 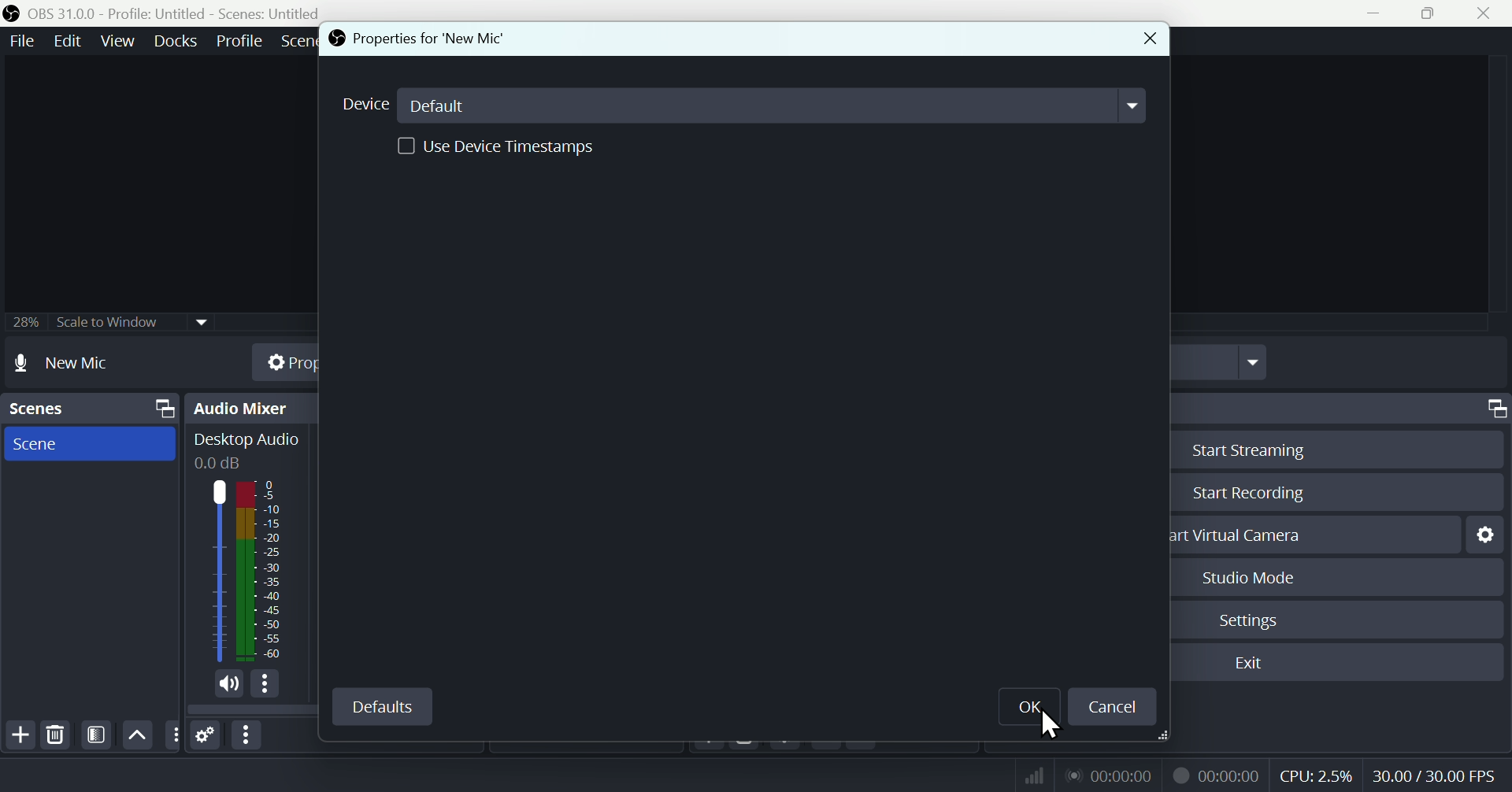 What do you see at coordinates (206, 736) in the screenshot?
I see `Settings` at bounding box center [206, 736].